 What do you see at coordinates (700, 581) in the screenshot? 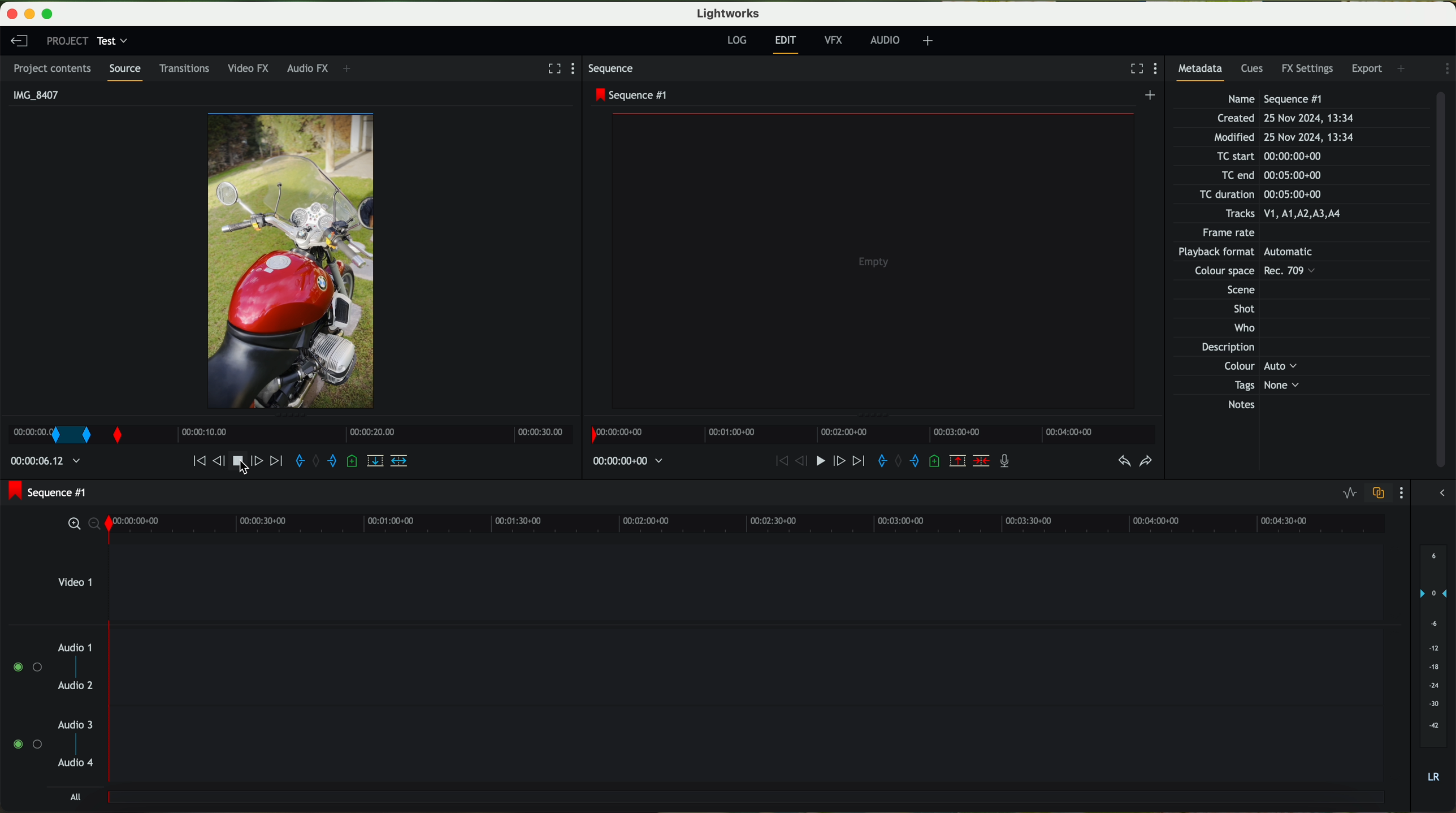
I see `video 1` at bounding box center [700, 581].